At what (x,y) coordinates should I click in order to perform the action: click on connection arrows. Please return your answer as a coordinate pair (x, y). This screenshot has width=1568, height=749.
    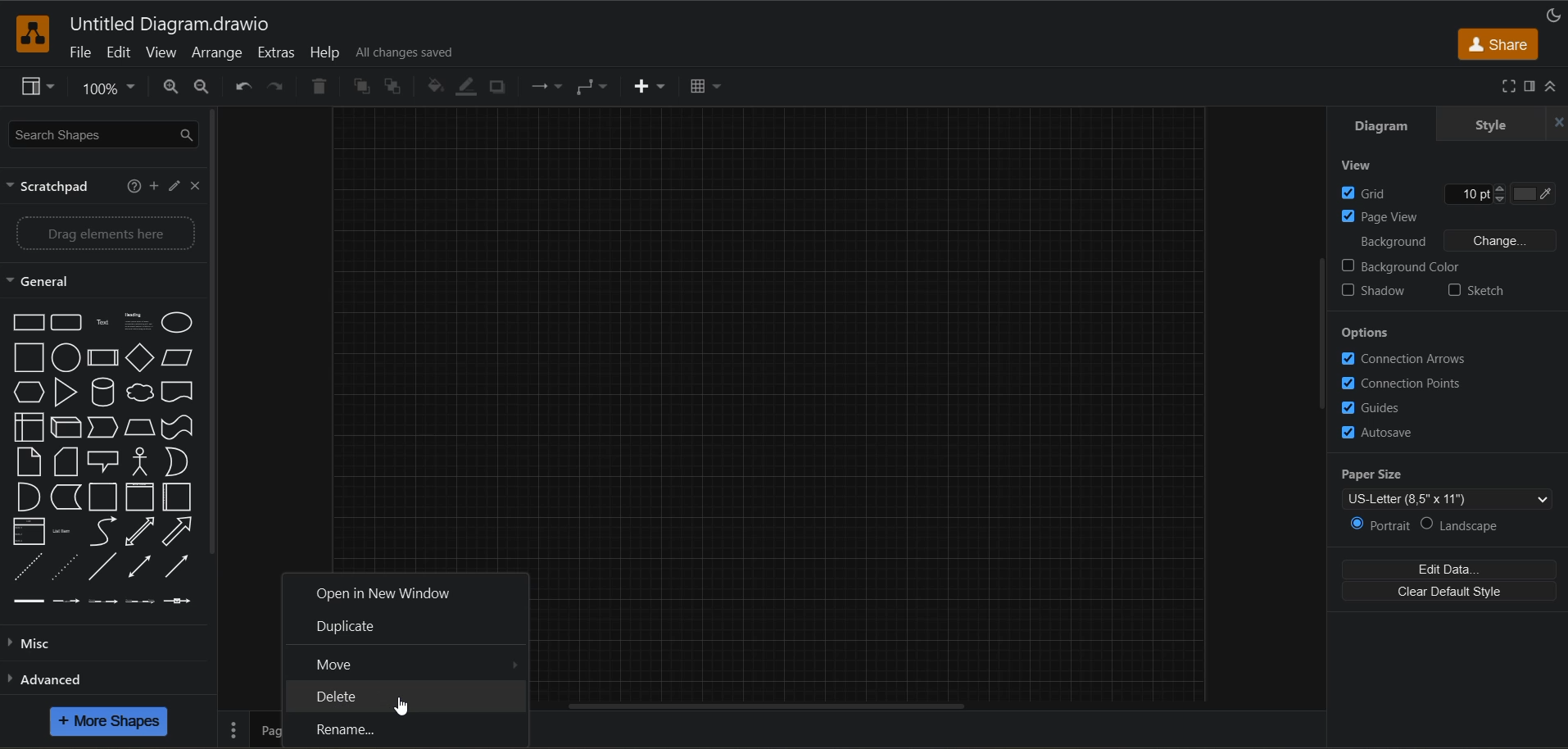
    Looking at the image, I should click on (1404, 361).